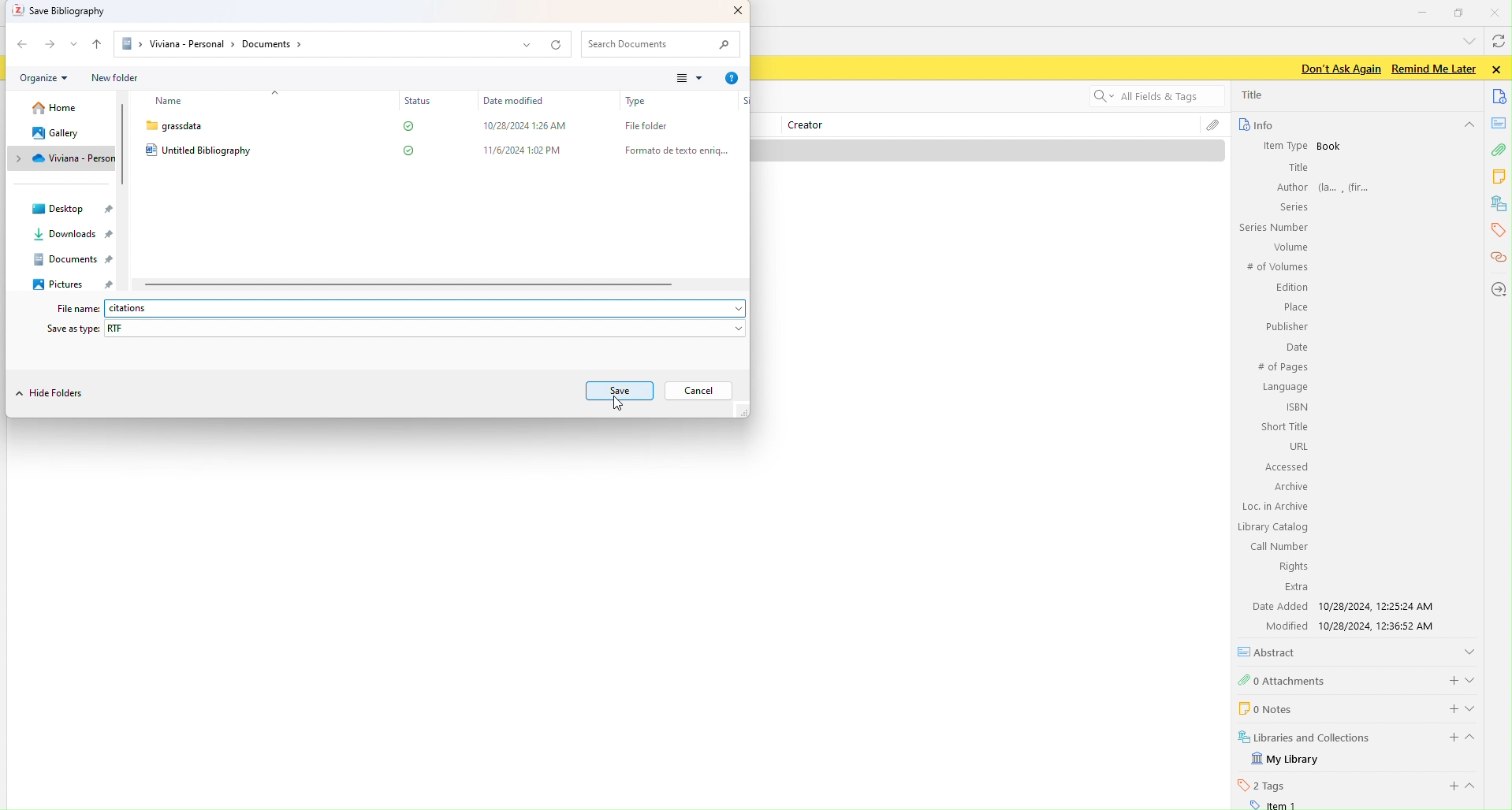 This screenshot has width=1512, height=810. What do you see at coordinates (73, 309) in the screenshot?
I see `File Name` at bounding box center [73, 309].